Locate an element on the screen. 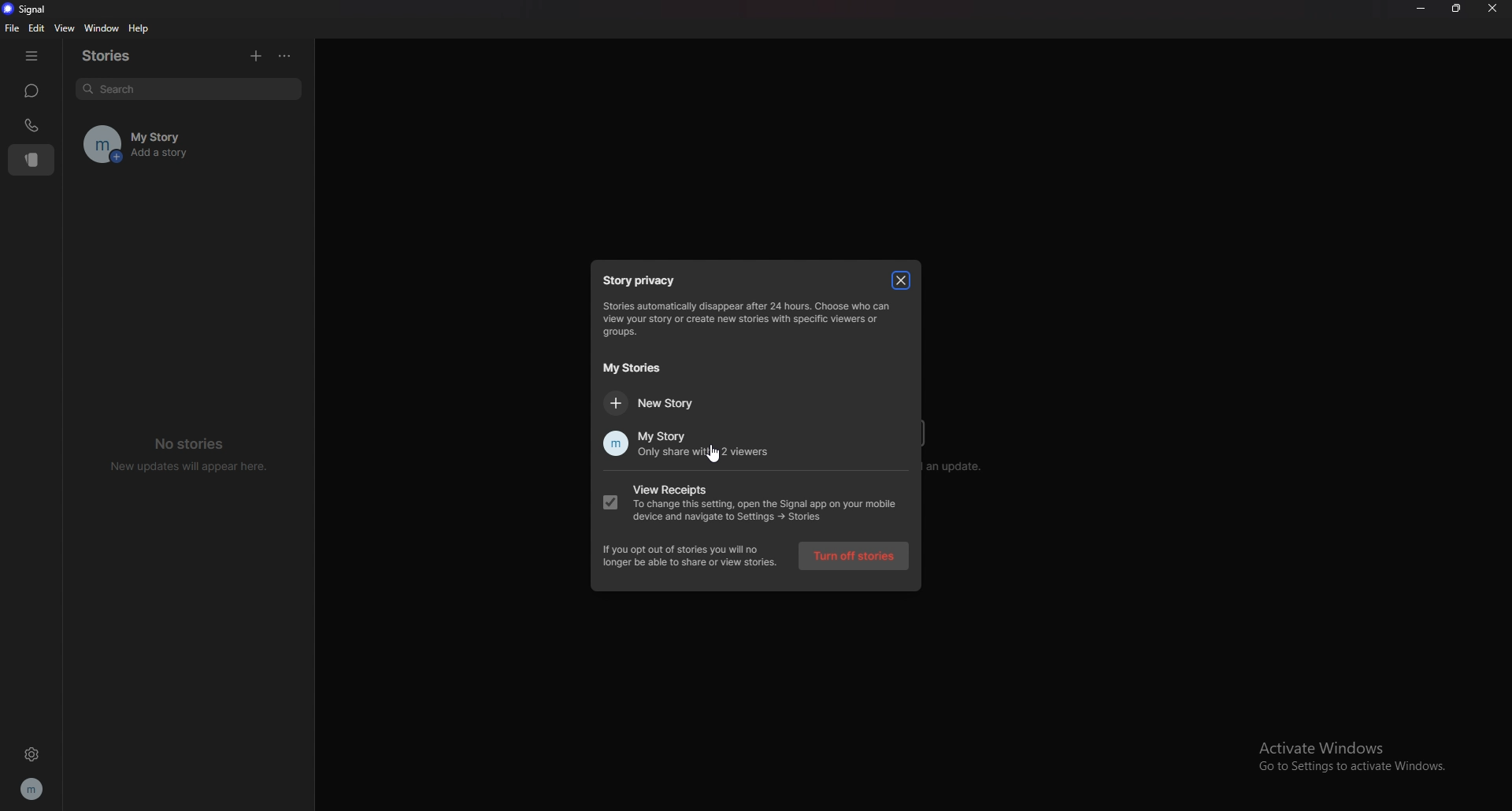  Add a story is located at coordinates (211, 157).